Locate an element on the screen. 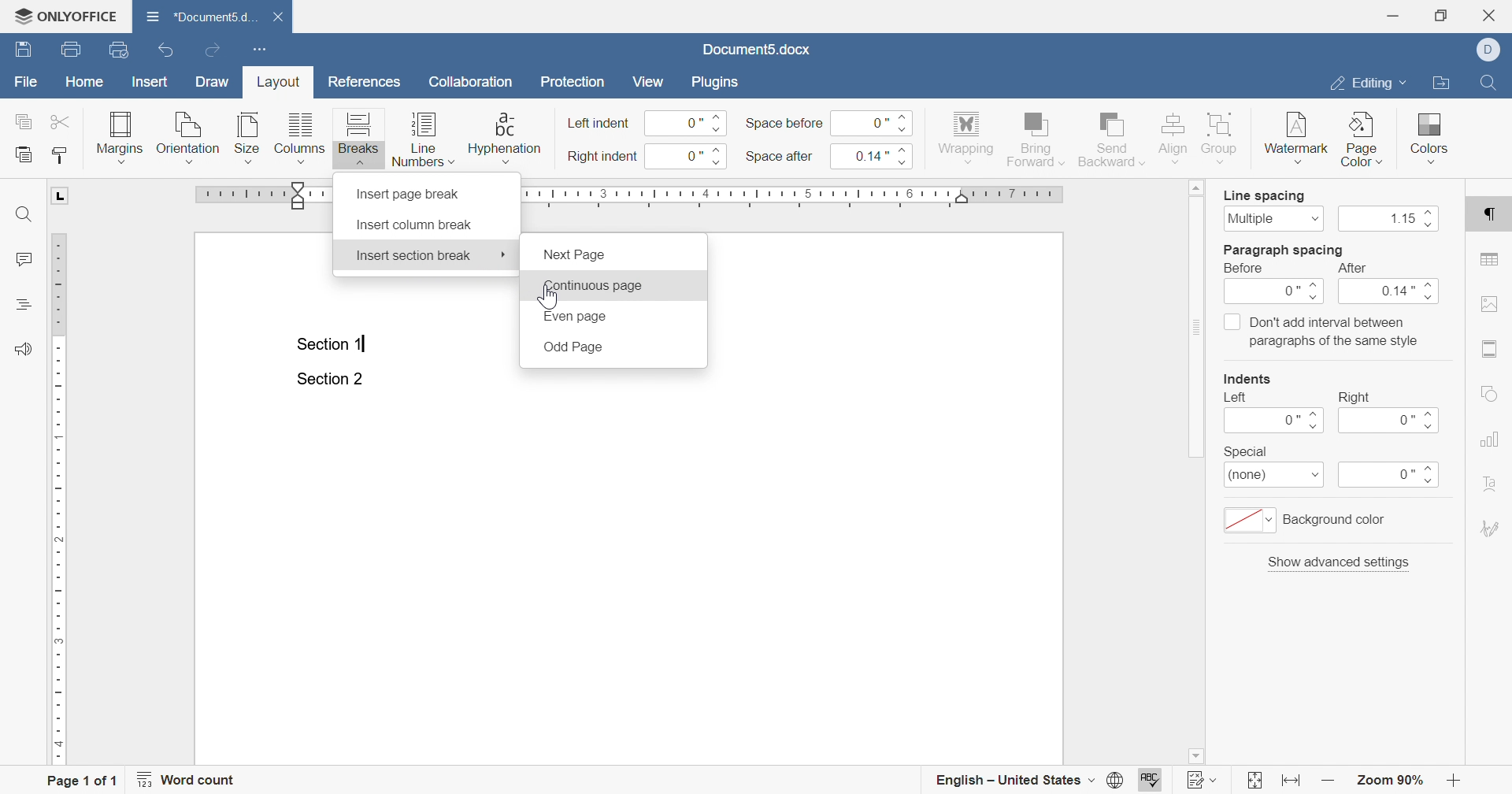 This screenshot has width=1512, height=794. after is located at coordinates (1351, 269).